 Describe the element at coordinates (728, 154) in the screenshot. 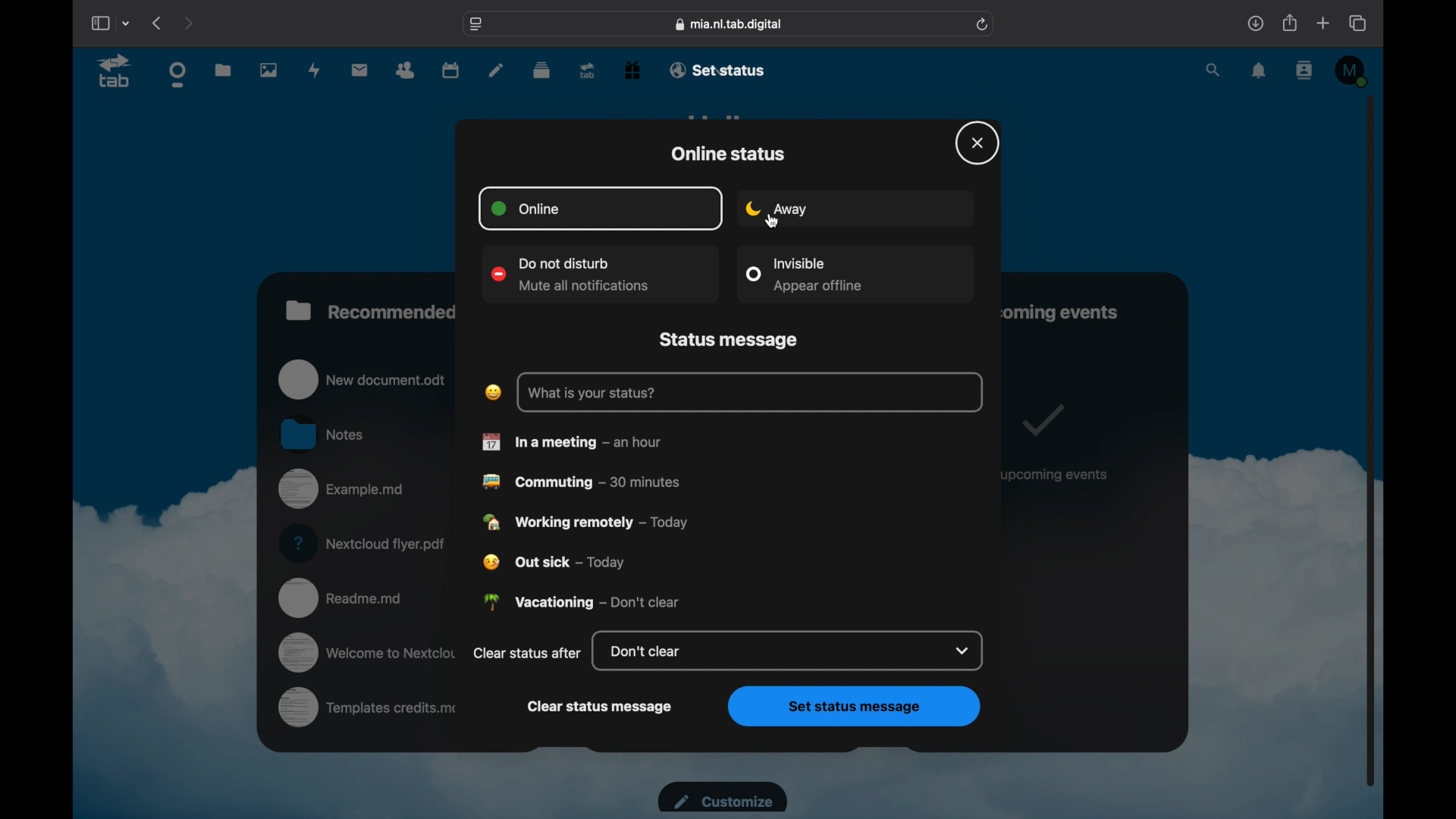

I see `online status` at that location.